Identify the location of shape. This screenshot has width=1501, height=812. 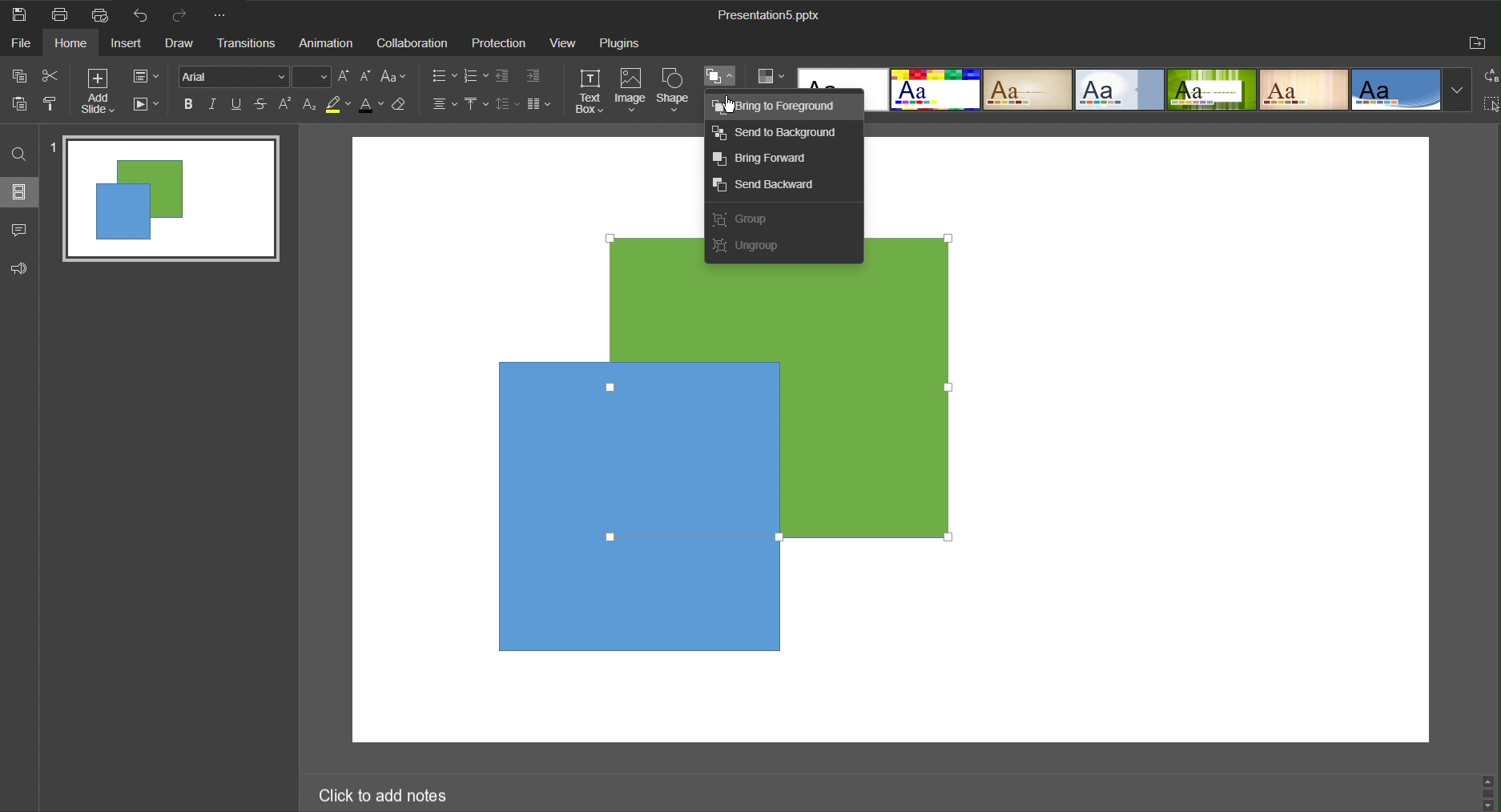
(906, 251).